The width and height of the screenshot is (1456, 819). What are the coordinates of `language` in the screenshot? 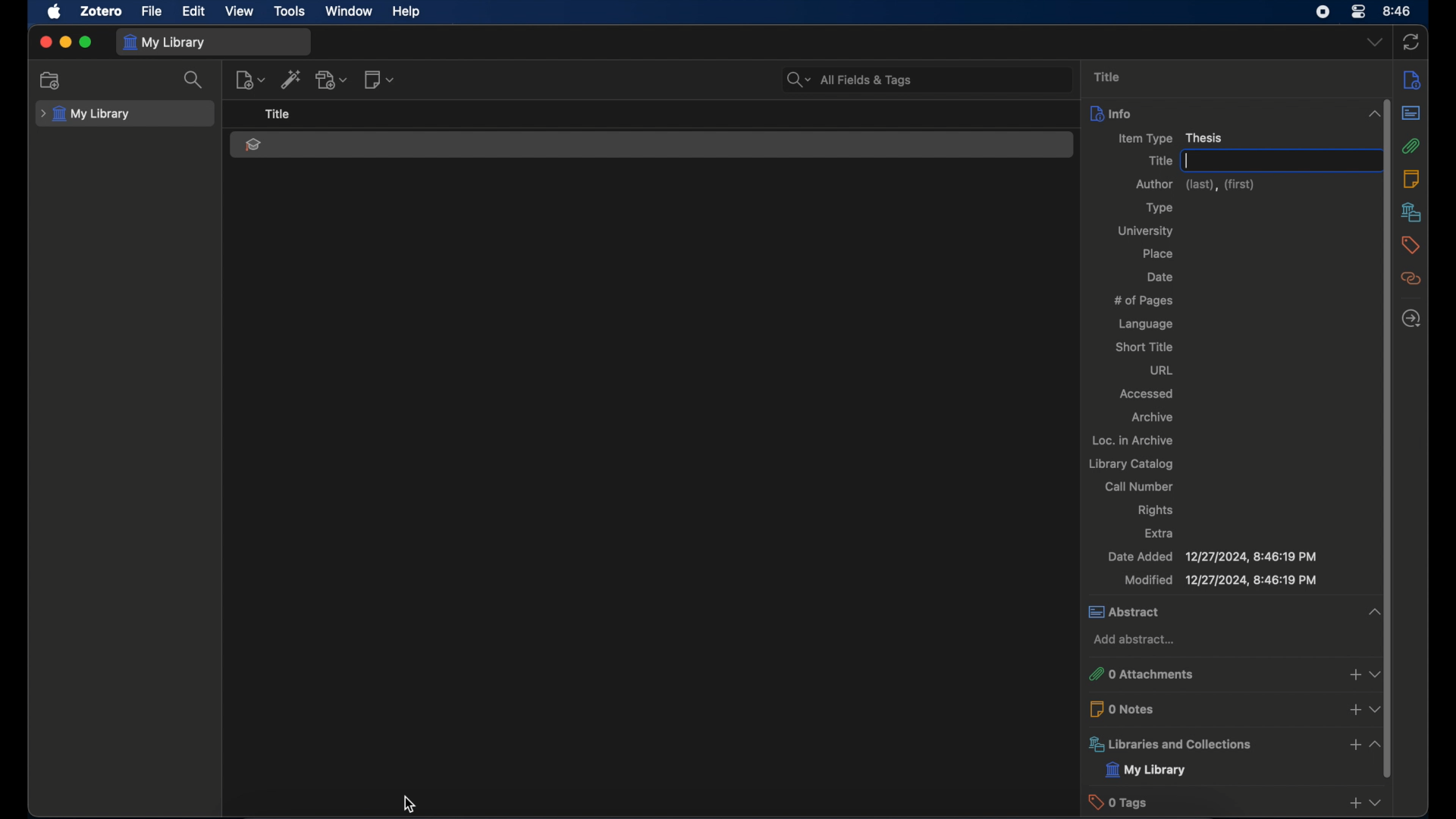 It's located at (1146, 325).